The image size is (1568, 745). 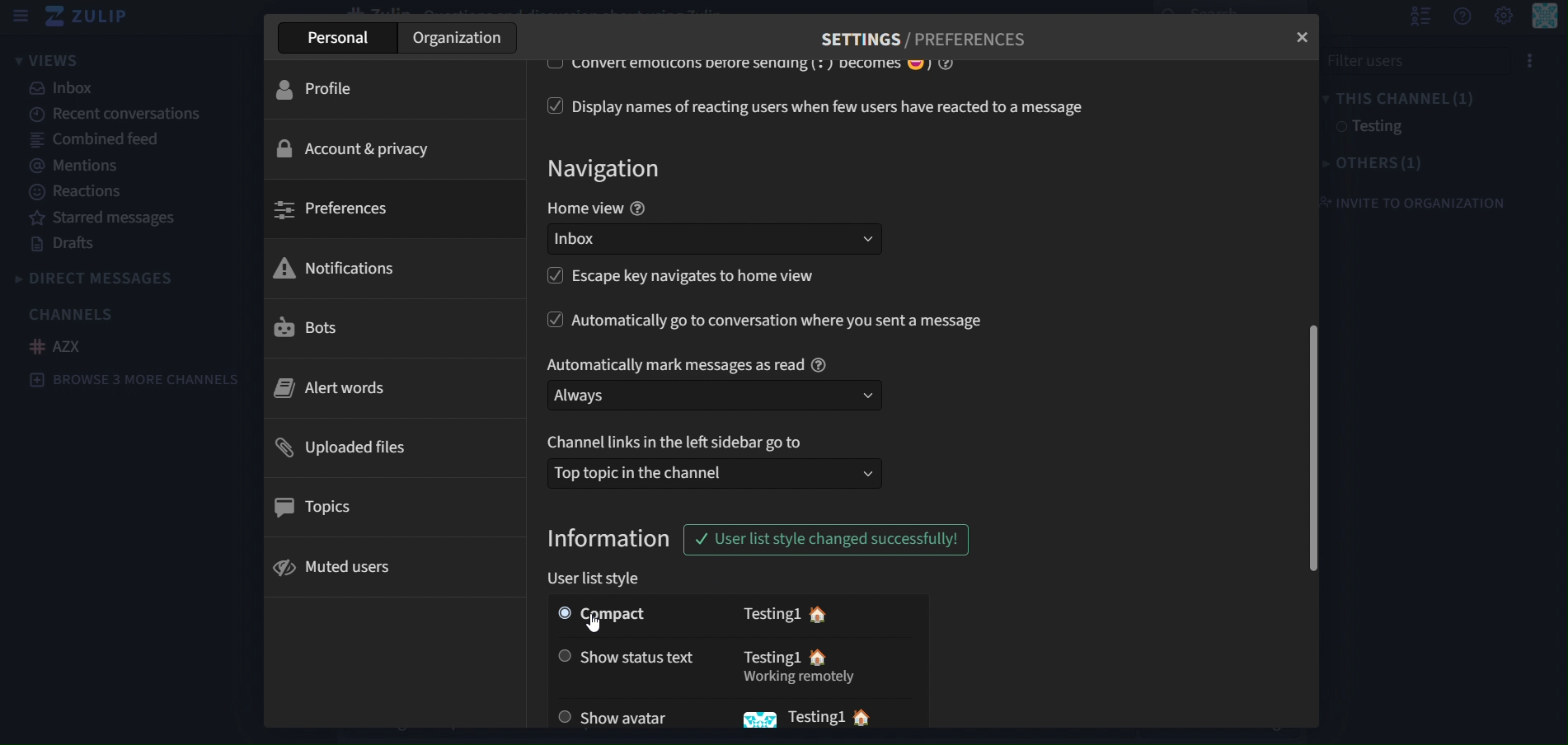 What do you see at coordinates (340, 565) in the screenshot?
I see `muted users` at bounding box center [340, 565].